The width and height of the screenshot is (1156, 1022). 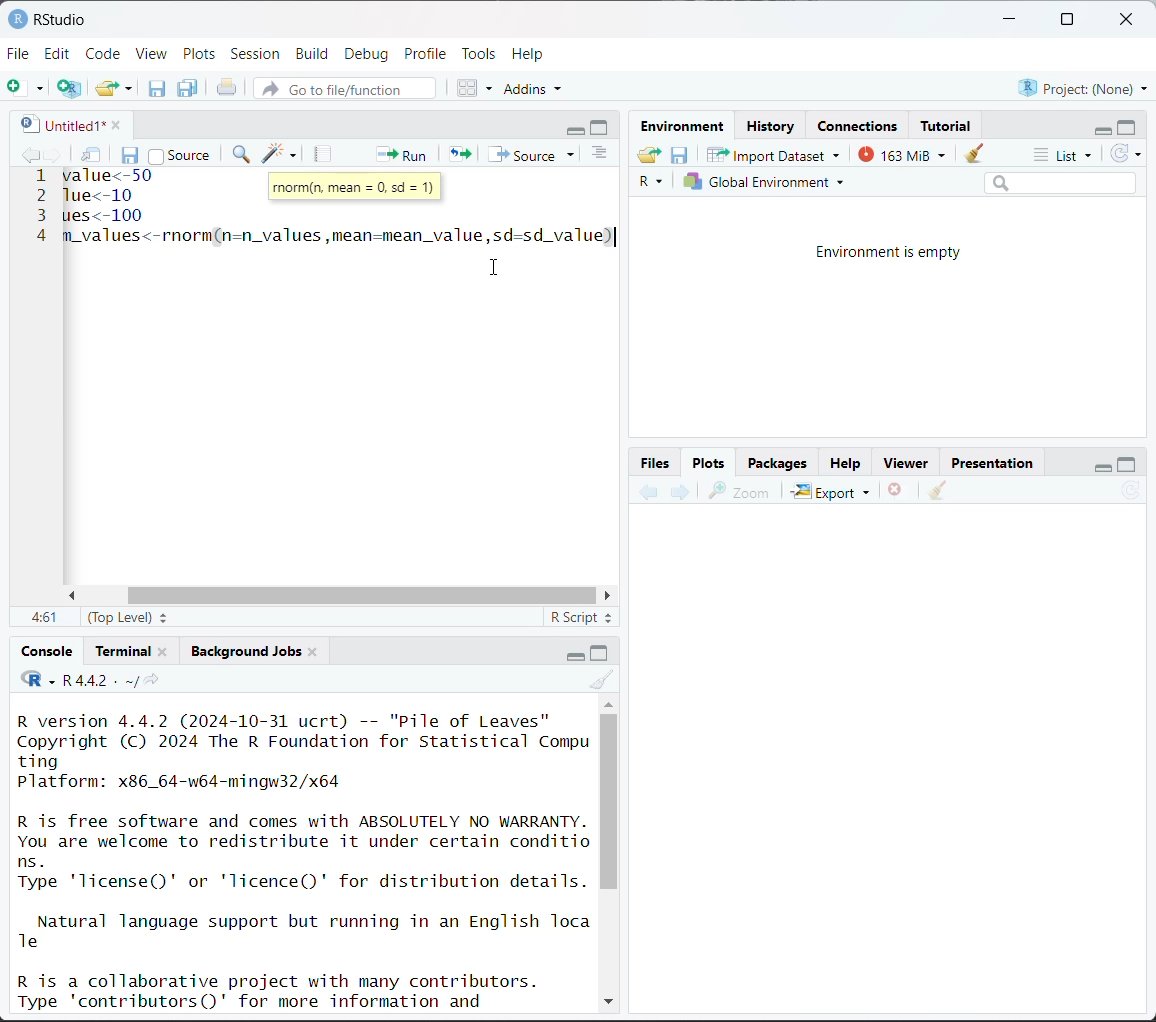 What do you see at coordinates (305, 859) in the screenshot?
I see `R version 4.4.2 (2024-10-31 ucrt) -- "Pile of Leaves"

Copyright (C) 2024 The R Foundation for Statistical Compu

ting

Platform: x86_64-w64-mingw32/x64

R is free software and comes with ABSOLUTELY NO WARRANTY.

You are welcome to redistribute it under certain conditio

ns.

Type 'license()' or 'licence()' for distribution details.
Natural language support but running in an English Toca

Te

R is a collaborative project with many contributors.

Type 'contributors()' for more information and` at bounding box center [305, 859].